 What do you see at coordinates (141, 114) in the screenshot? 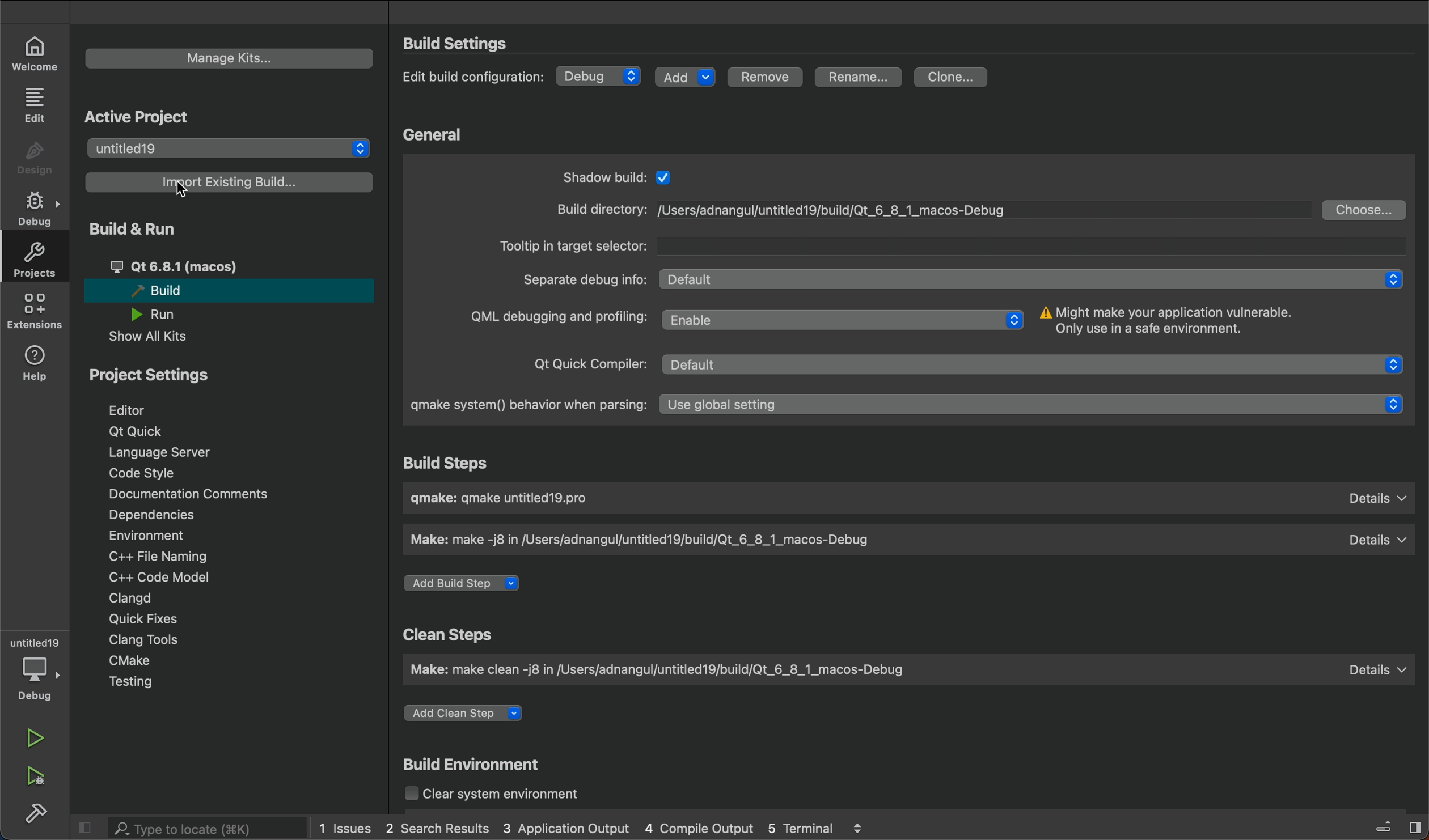
I see `active project` at bounding box center [141, 114].